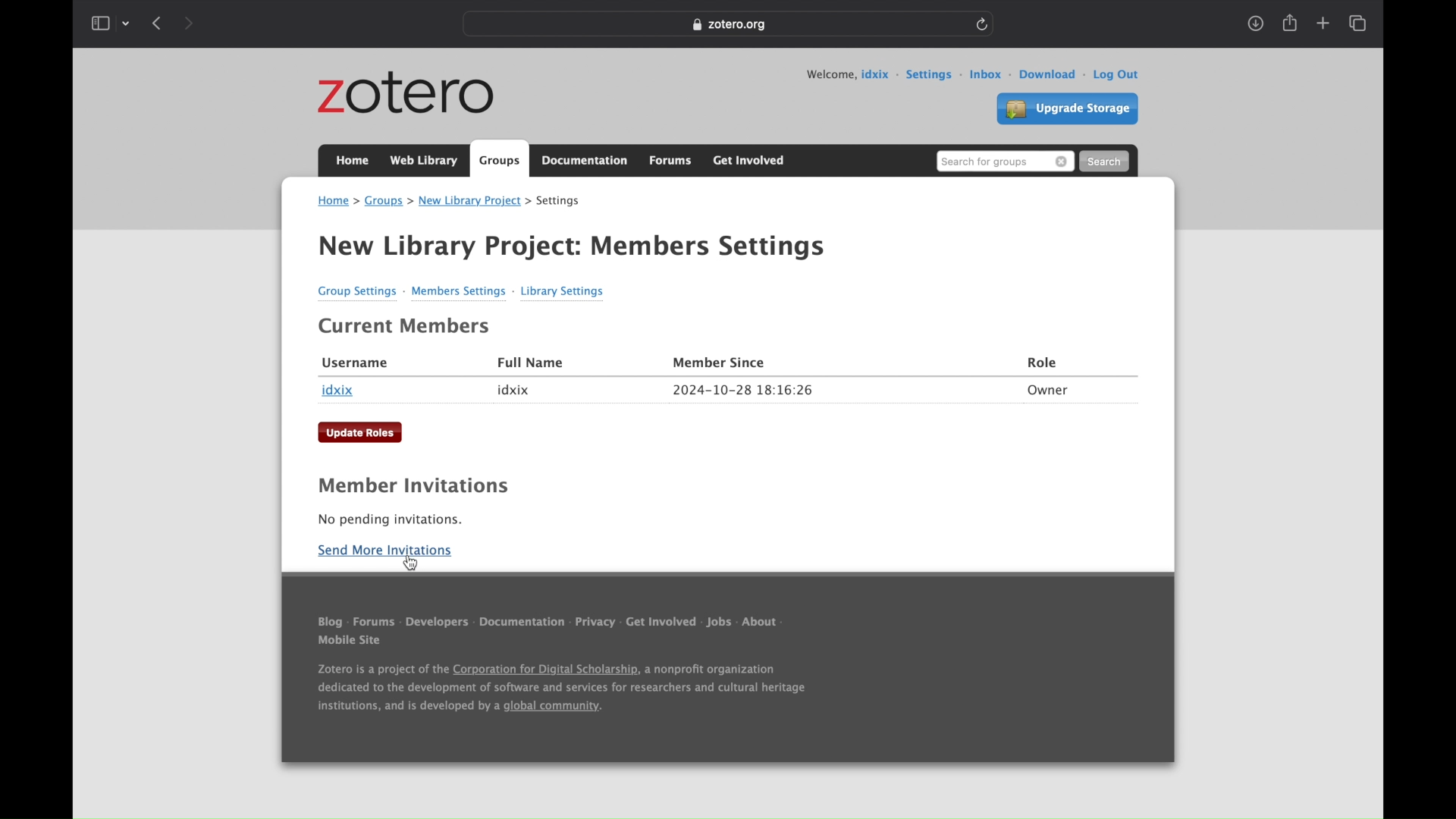  Describe the element at coordinates (586, 161) in the screenshot. I see `documentation` at that location.